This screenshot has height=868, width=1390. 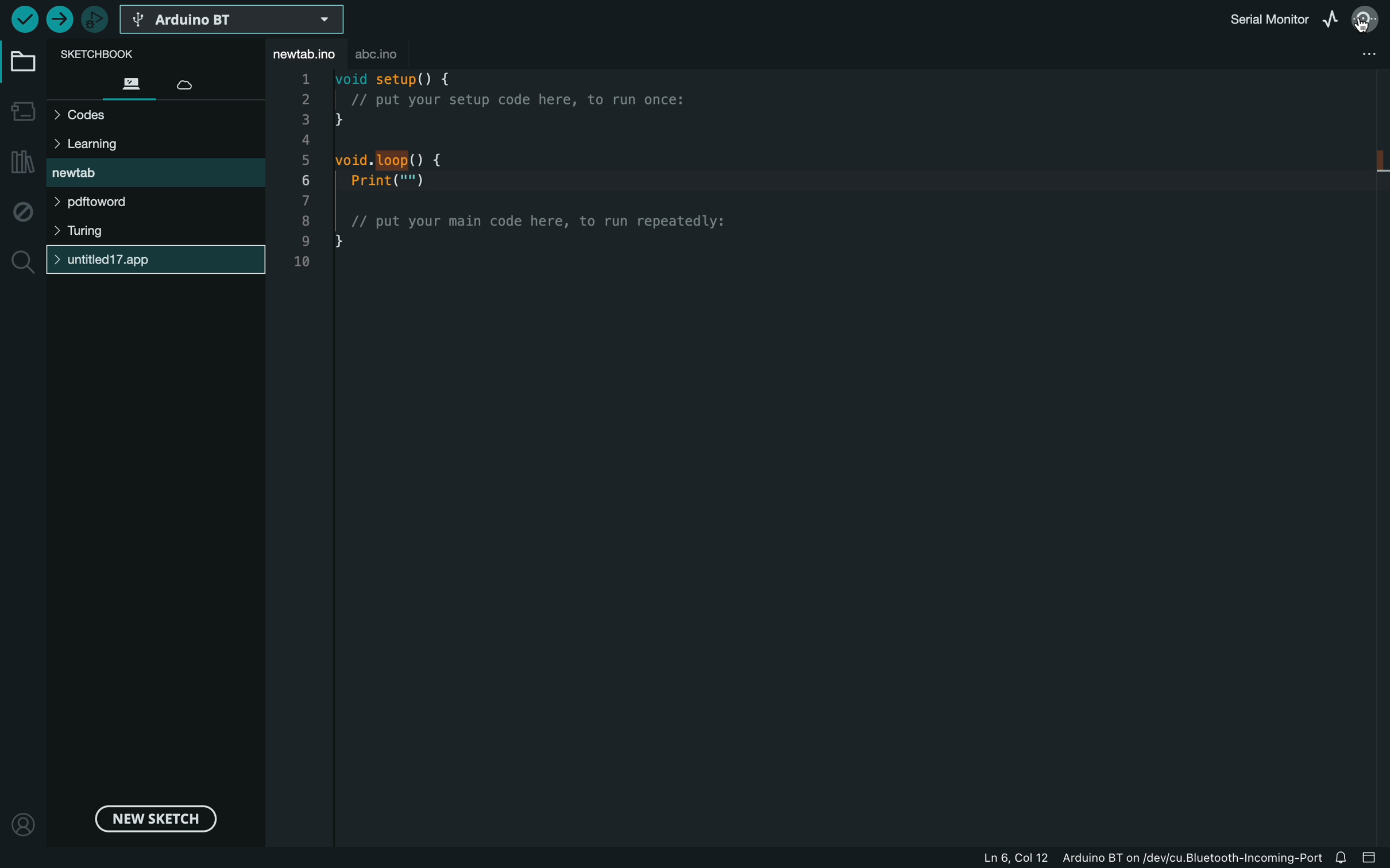 I want to click on file information, so click(x=1117, y=859).